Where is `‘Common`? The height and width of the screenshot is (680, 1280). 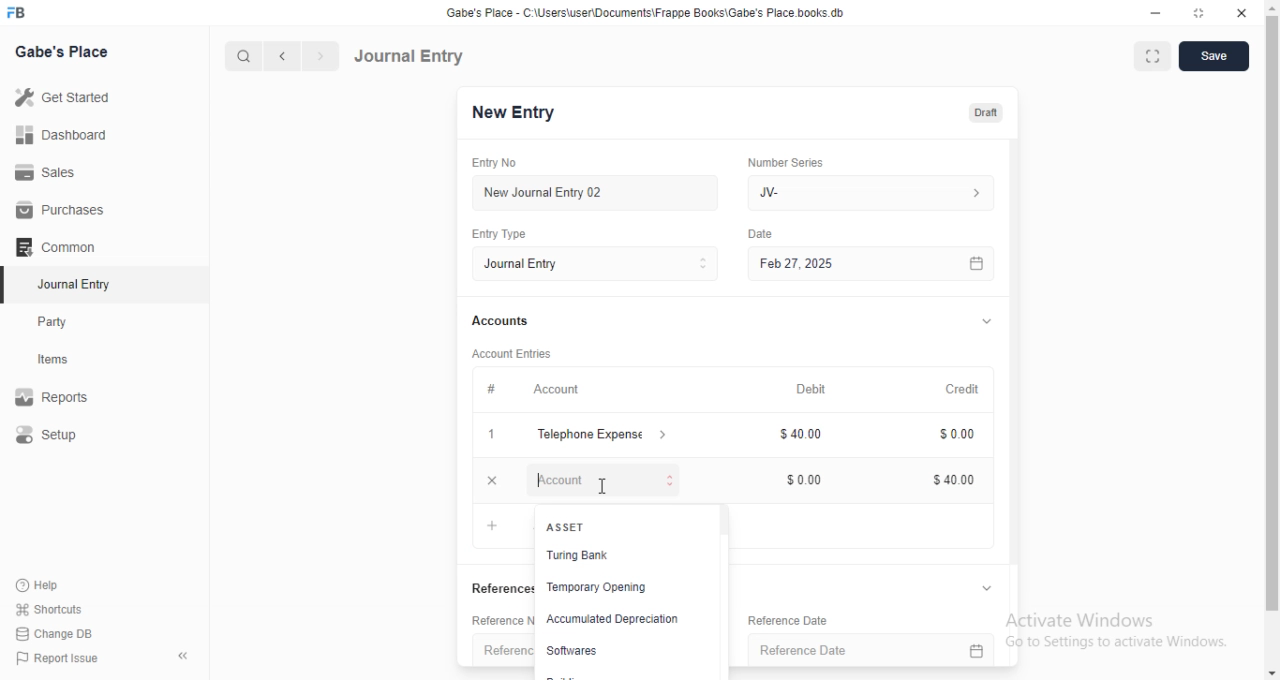
‘Common is located at coordinates (57, 246).